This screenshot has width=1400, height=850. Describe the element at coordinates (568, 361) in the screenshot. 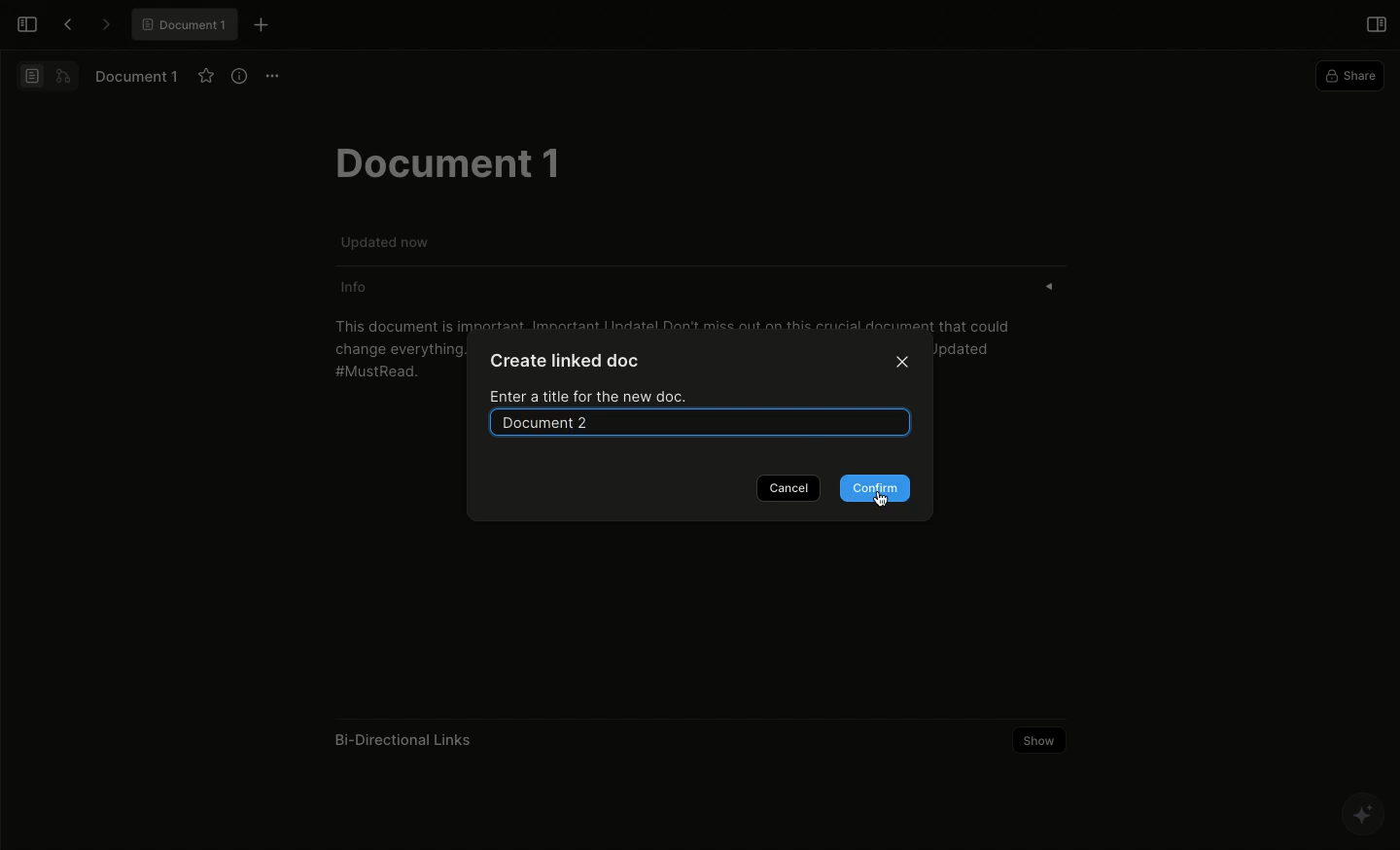

I see `Create linked doc` at that location.